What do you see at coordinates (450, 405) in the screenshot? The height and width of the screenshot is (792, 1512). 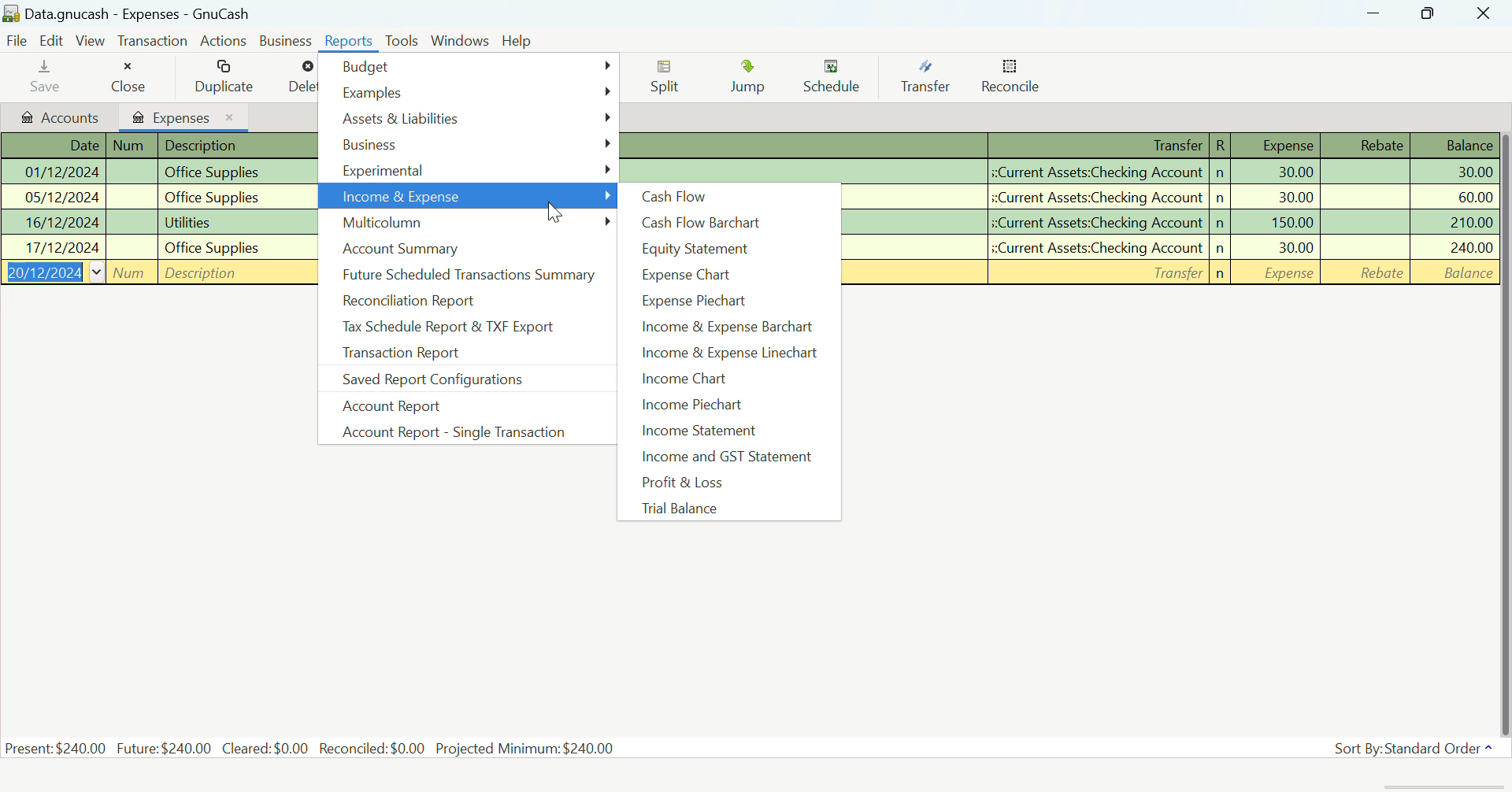 I see `Account Report` at bounding box center [450, 405].